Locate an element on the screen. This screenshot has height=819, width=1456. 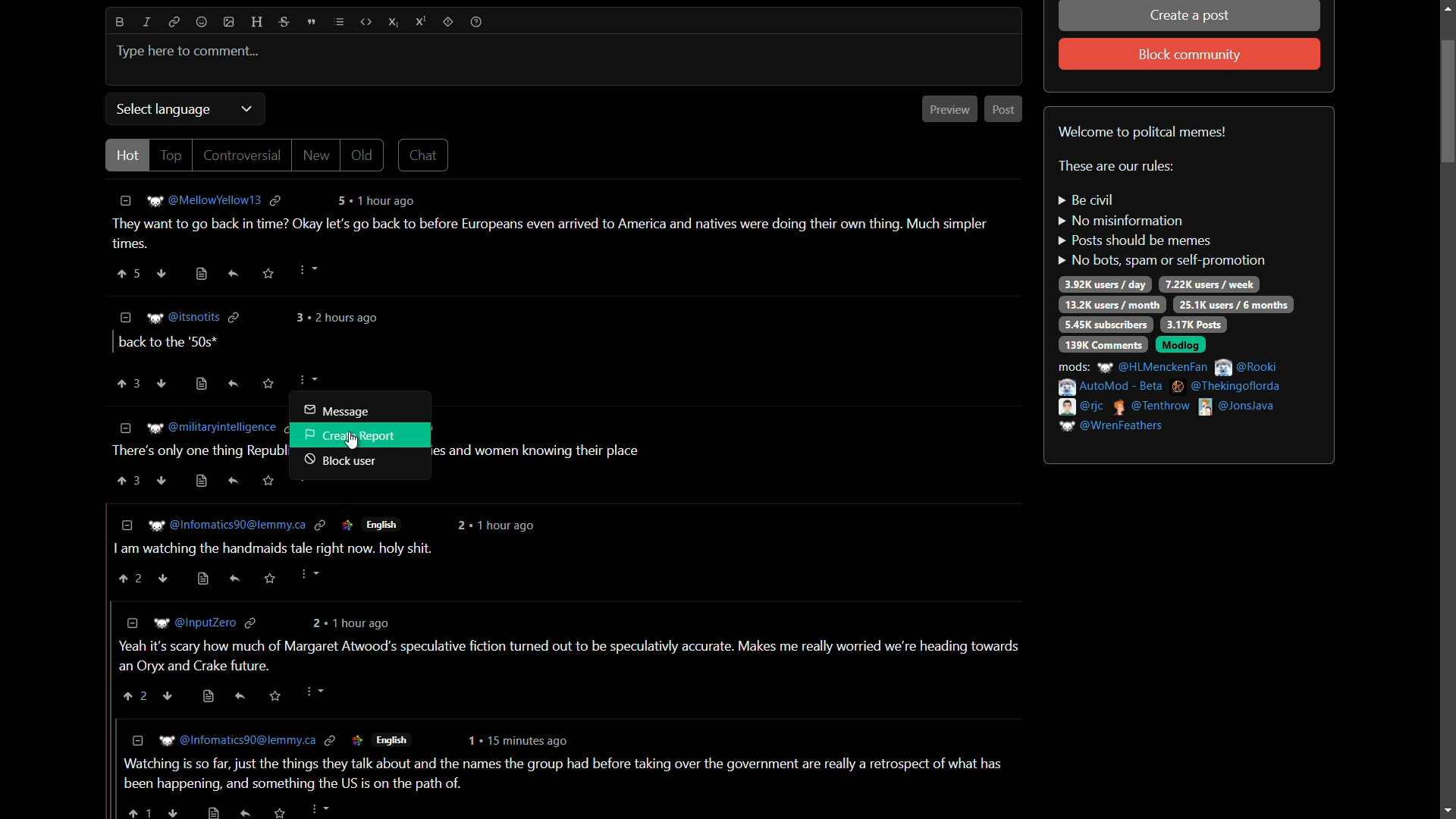
save is located at coordinates (268, 385).